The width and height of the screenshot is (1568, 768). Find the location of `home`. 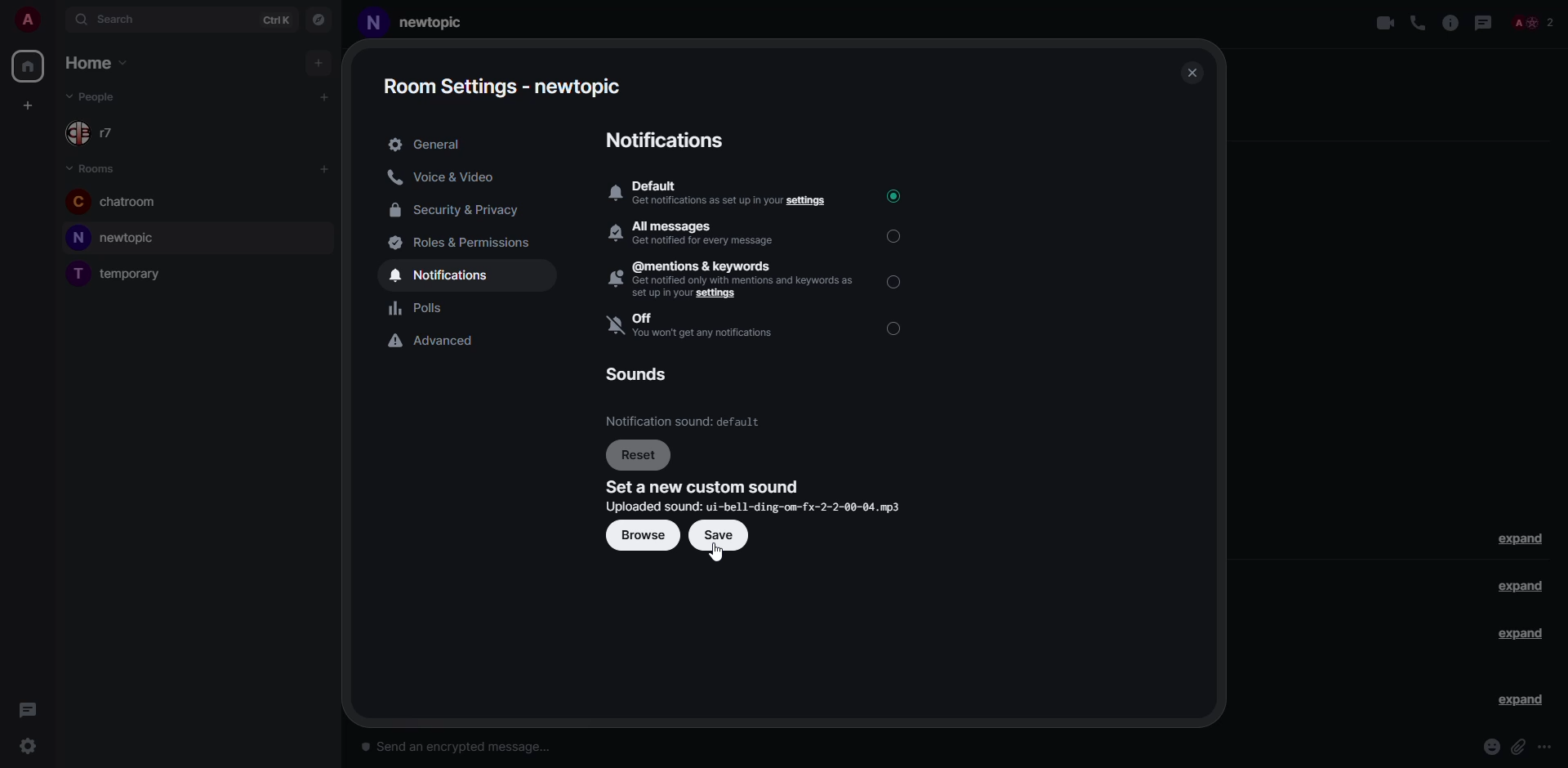

home is located at coordinates (96, 63).